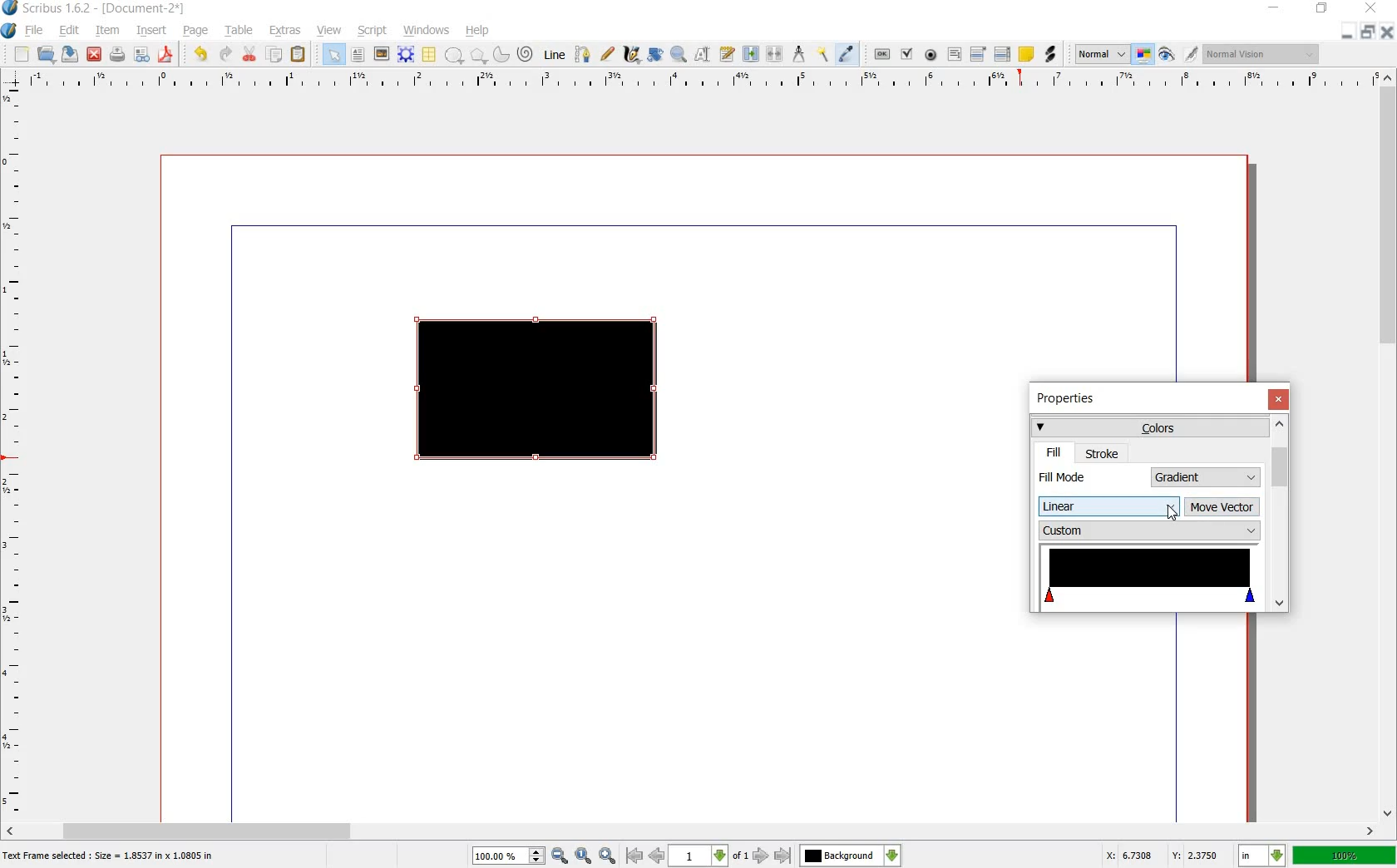  Describe the element at coordinates (1148, 427) in the screenshot. I see `colors` at that location.